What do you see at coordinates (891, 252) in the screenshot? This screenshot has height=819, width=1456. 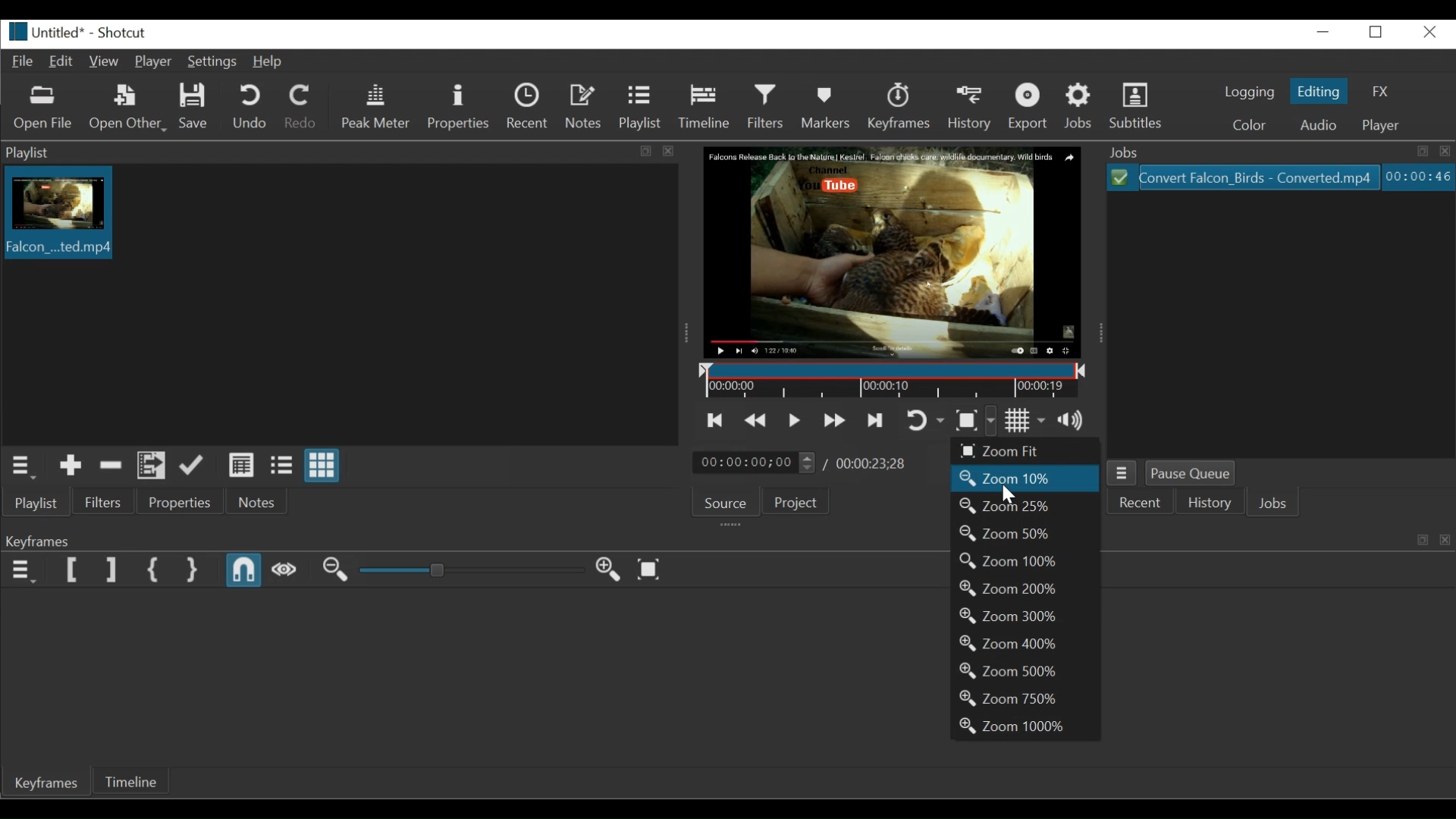 I see `Media Viewer` at bounding box center [891, 252].